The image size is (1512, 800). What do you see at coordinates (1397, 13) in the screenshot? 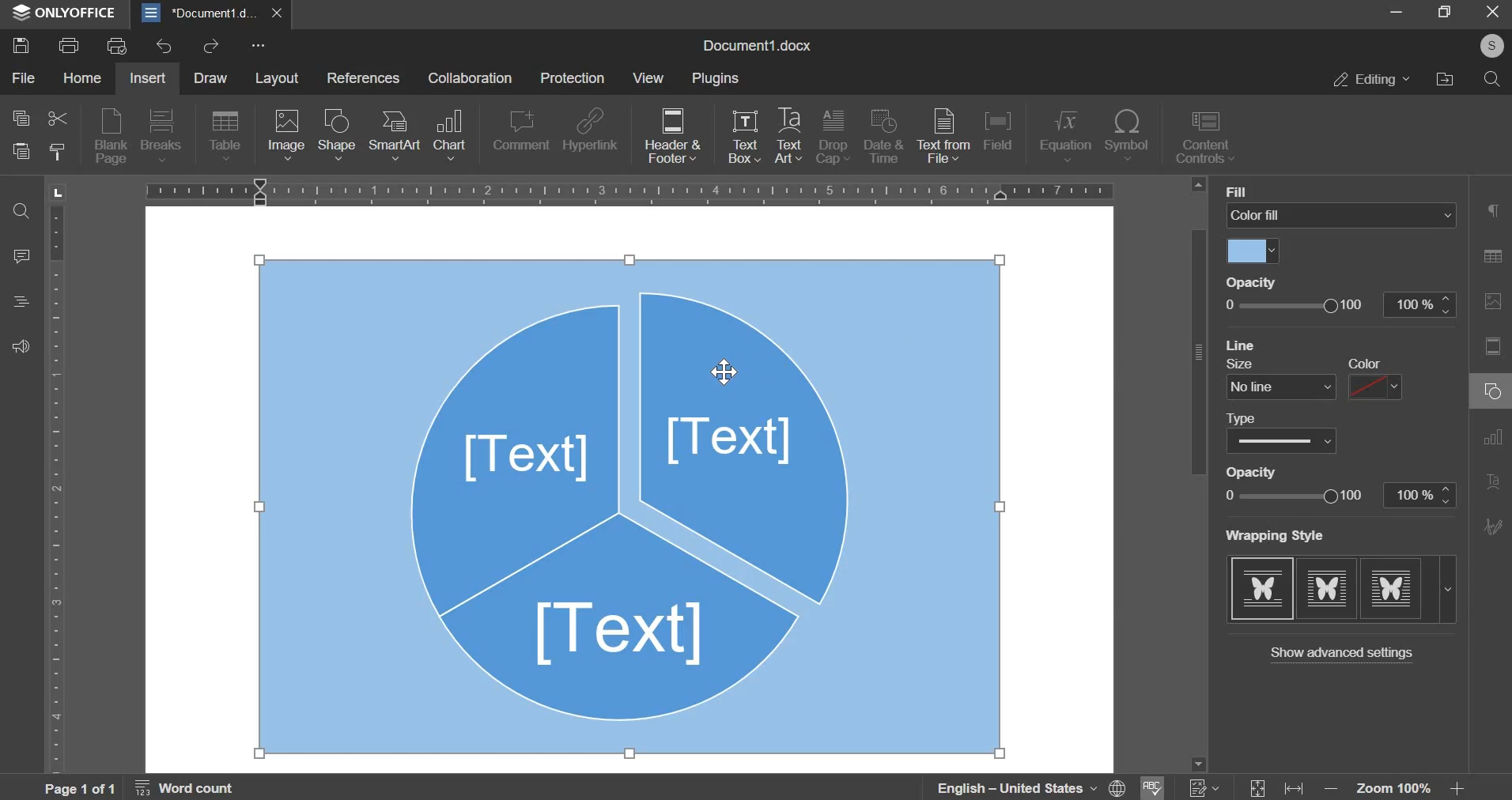
I see `Minimize` at bounding box center [1397, 13].